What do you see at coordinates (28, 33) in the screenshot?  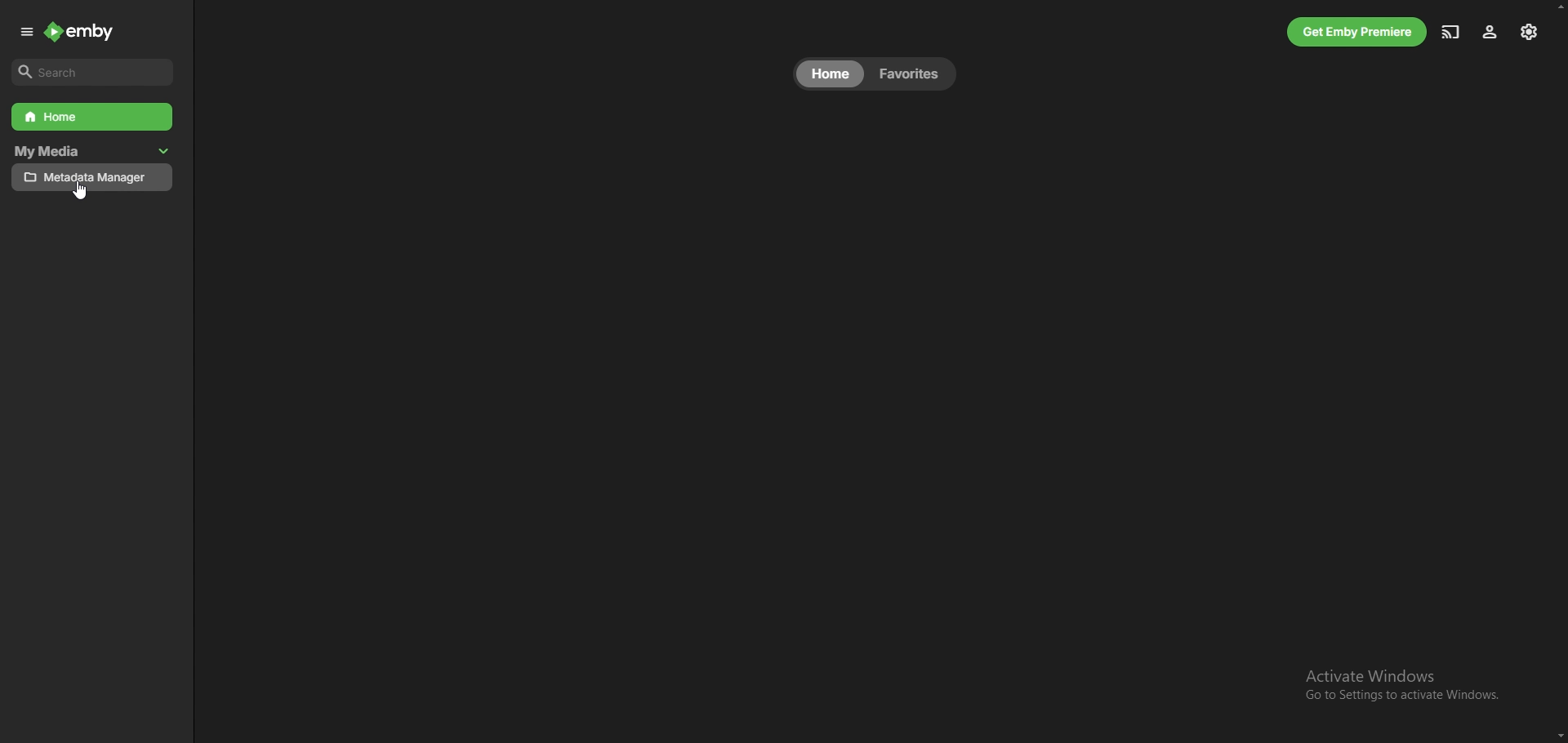 I see `expand` at bounding box center [28, 33].